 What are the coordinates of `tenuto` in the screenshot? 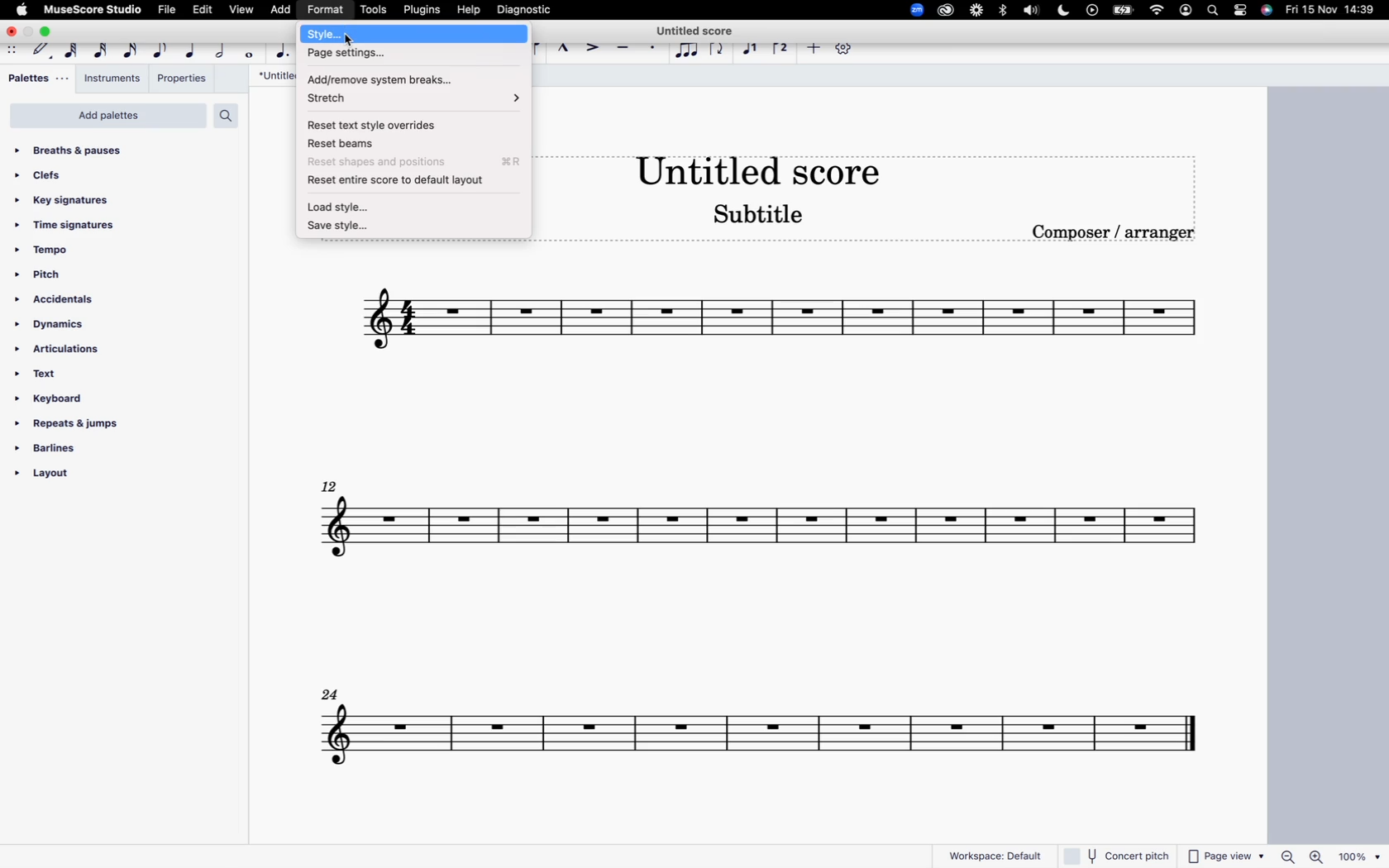 It's located at (627, 53).